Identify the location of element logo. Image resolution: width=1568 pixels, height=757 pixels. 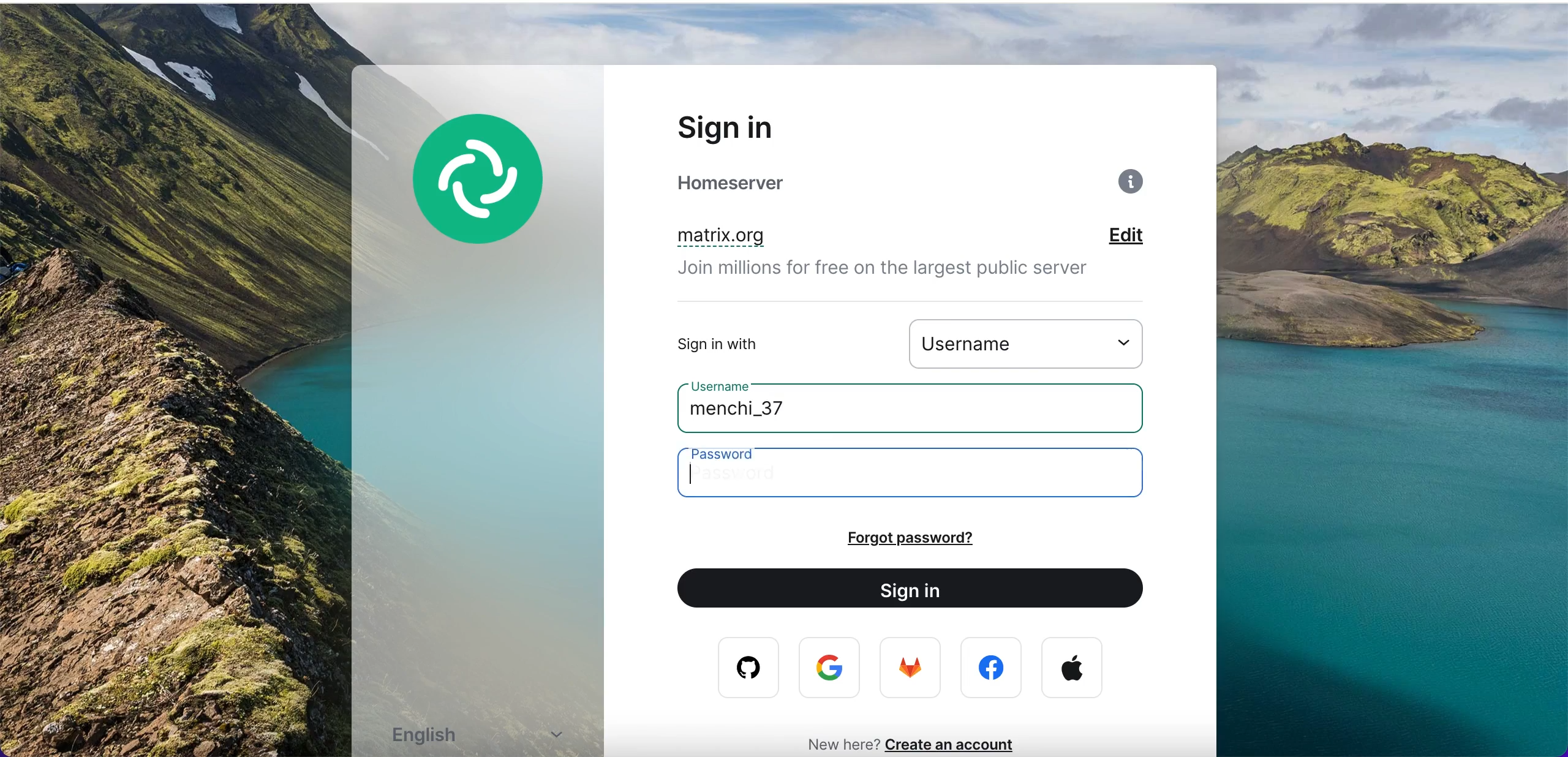
(493, 197).